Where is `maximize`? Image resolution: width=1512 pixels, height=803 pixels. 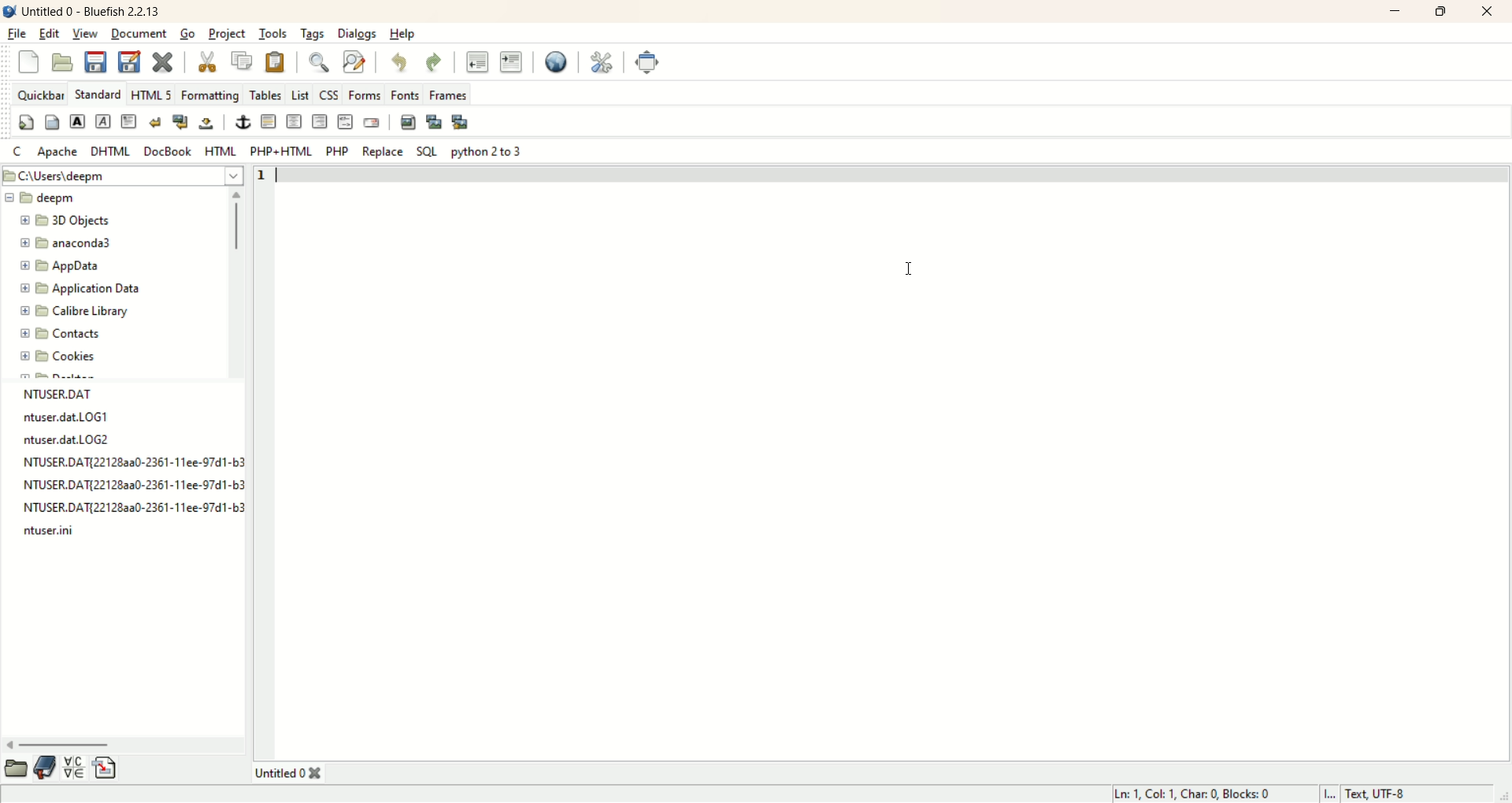
maximize is located at coordinates (1440, 11).